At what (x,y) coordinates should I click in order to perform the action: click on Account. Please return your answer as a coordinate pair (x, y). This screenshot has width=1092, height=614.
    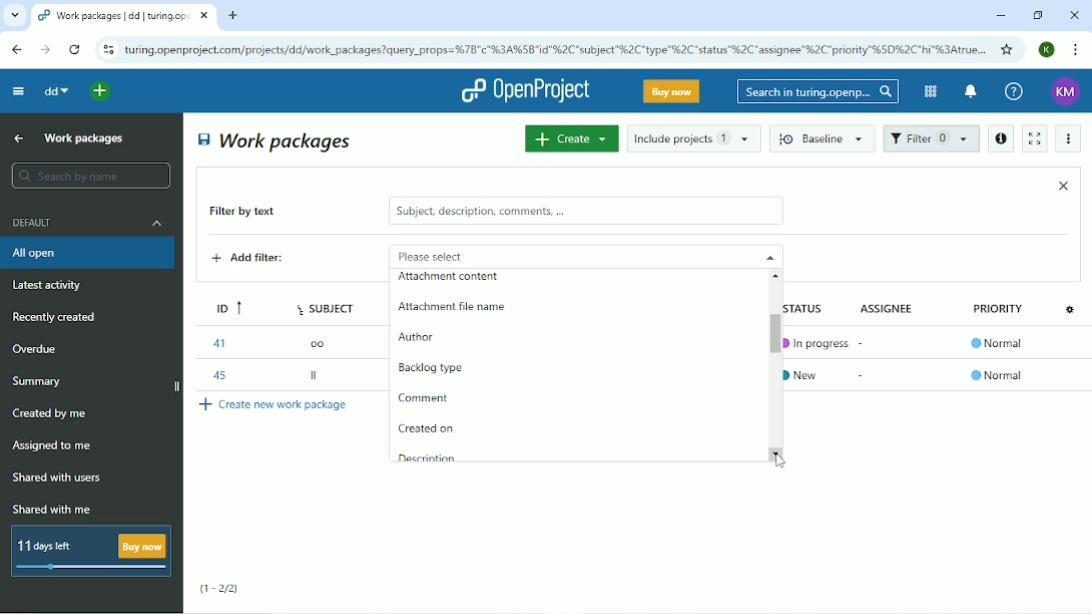
    Looking at the image, I should click on (1066, 92).